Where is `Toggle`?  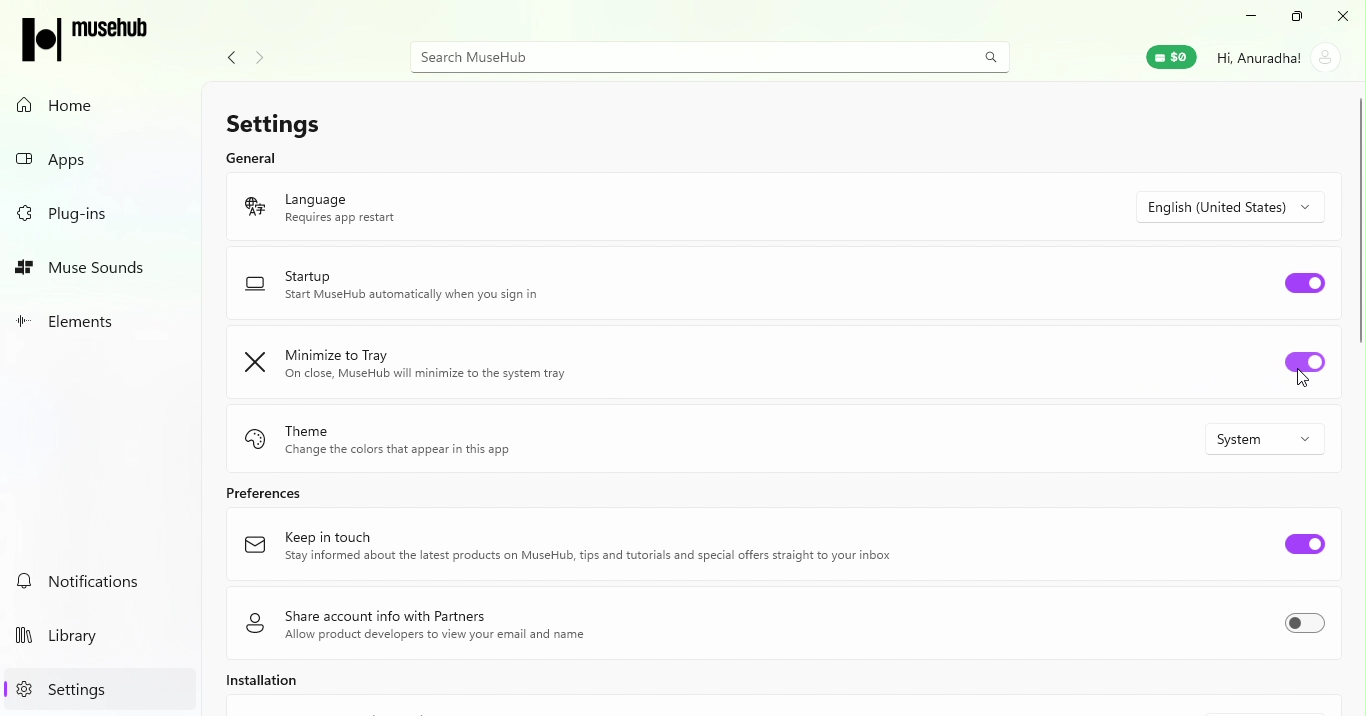
Toggle is located at coordinates (1299, 284).